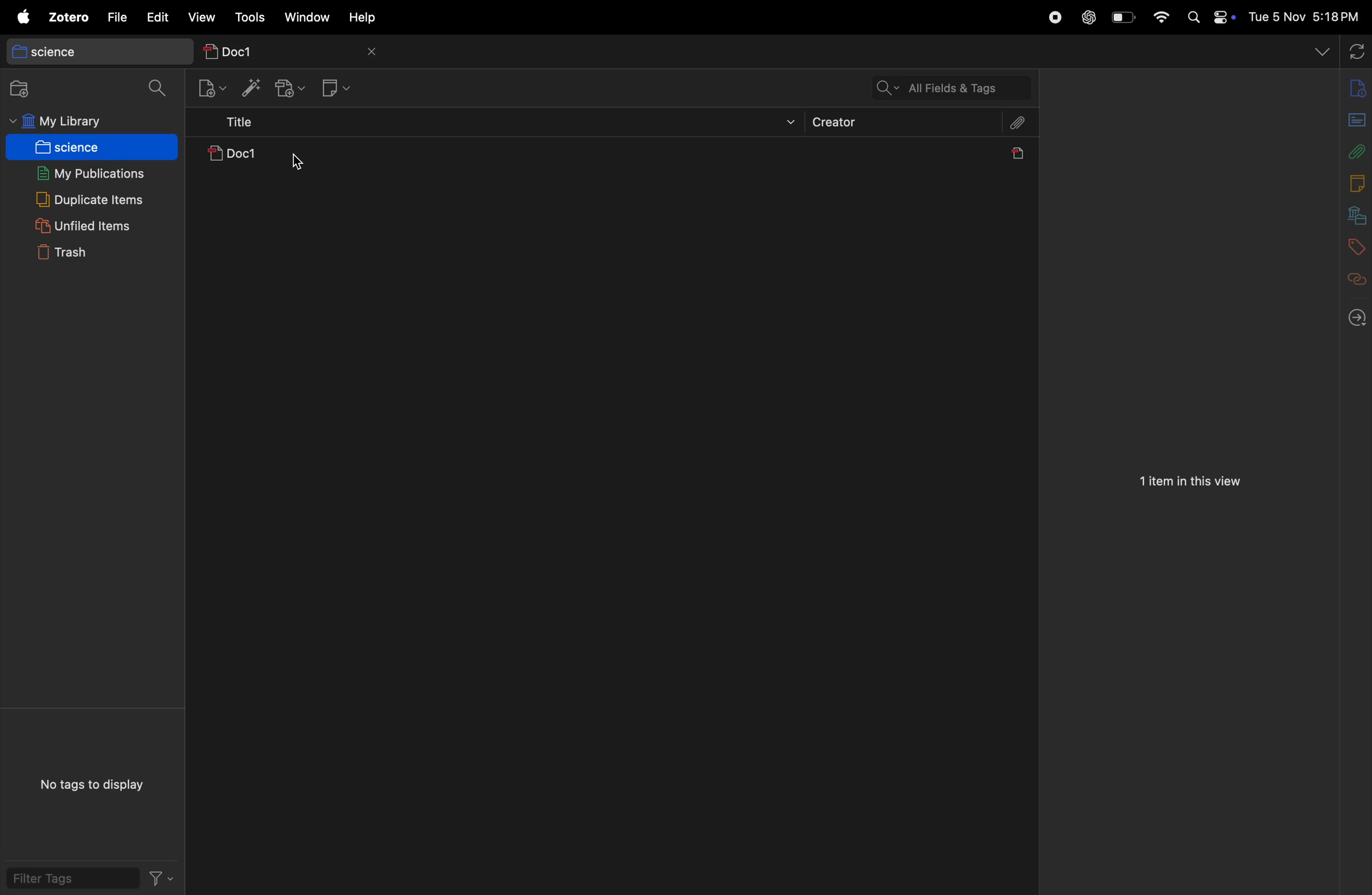 The image size is (1372, 895). Describe the element at coordinates (93, 50) in the screenshot. I see `science` at that location.